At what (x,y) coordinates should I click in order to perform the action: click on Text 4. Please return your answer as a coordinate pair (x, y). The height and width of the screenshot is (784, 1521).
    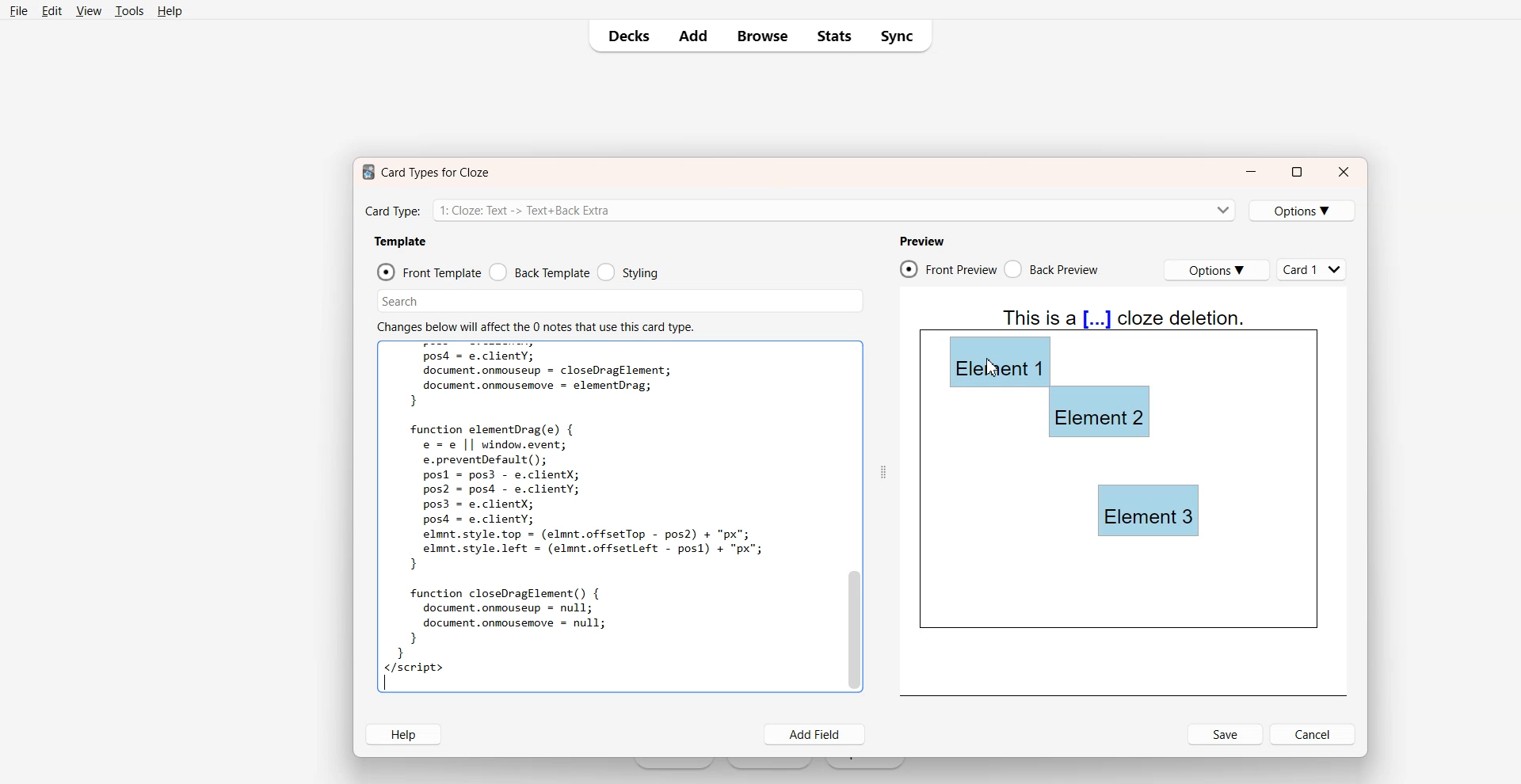
    Looking at the image, I should click on (1125, 318).